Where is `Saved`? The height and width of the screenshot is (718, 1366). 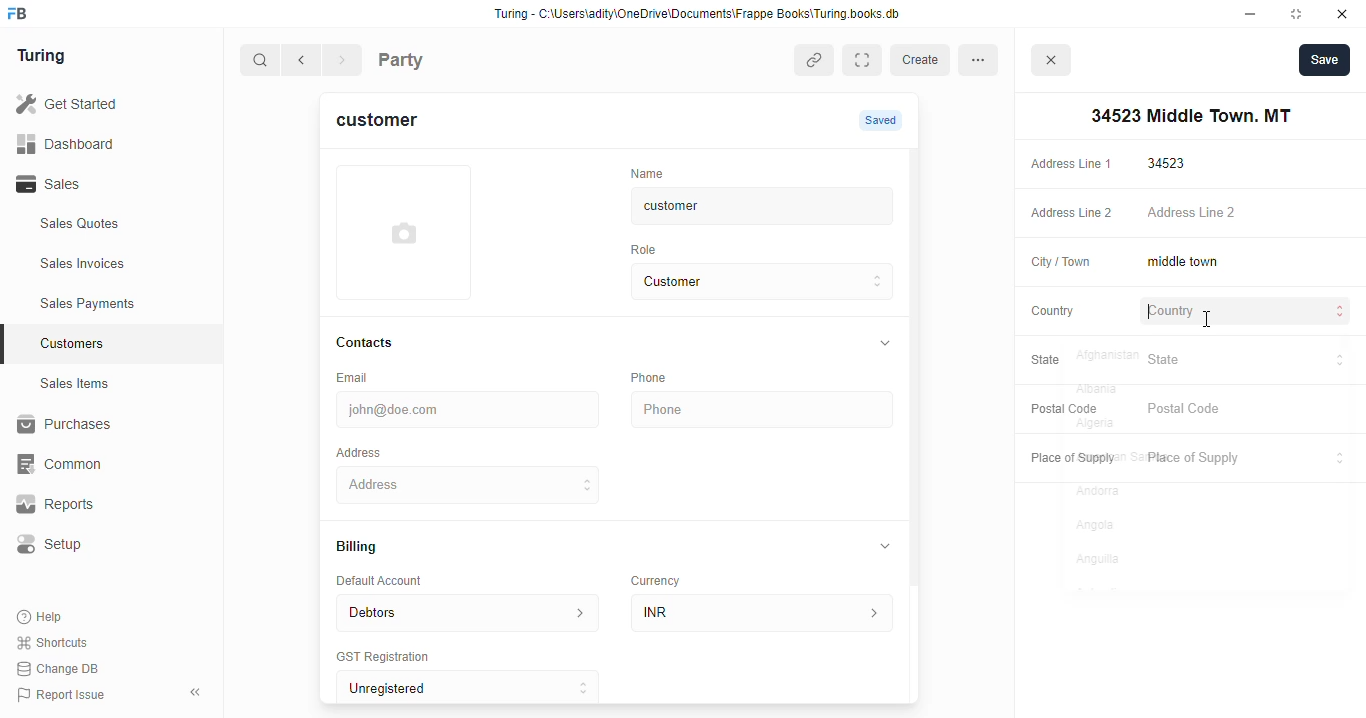
Saved is located at coordinates (883, 120).